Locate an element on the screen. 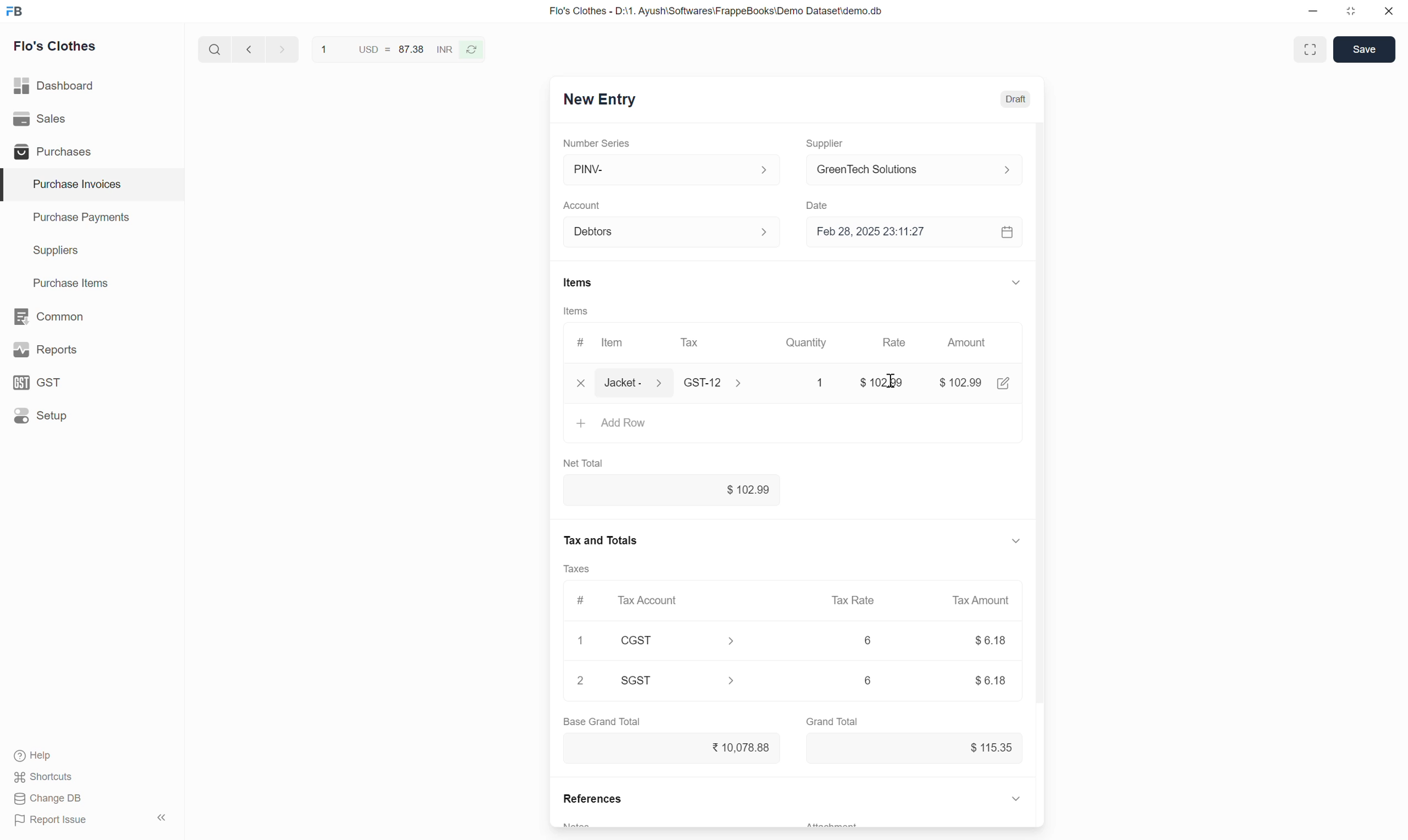 This screenshot has width=1408, height=840. PINV- is located at coordinates (674, 169).